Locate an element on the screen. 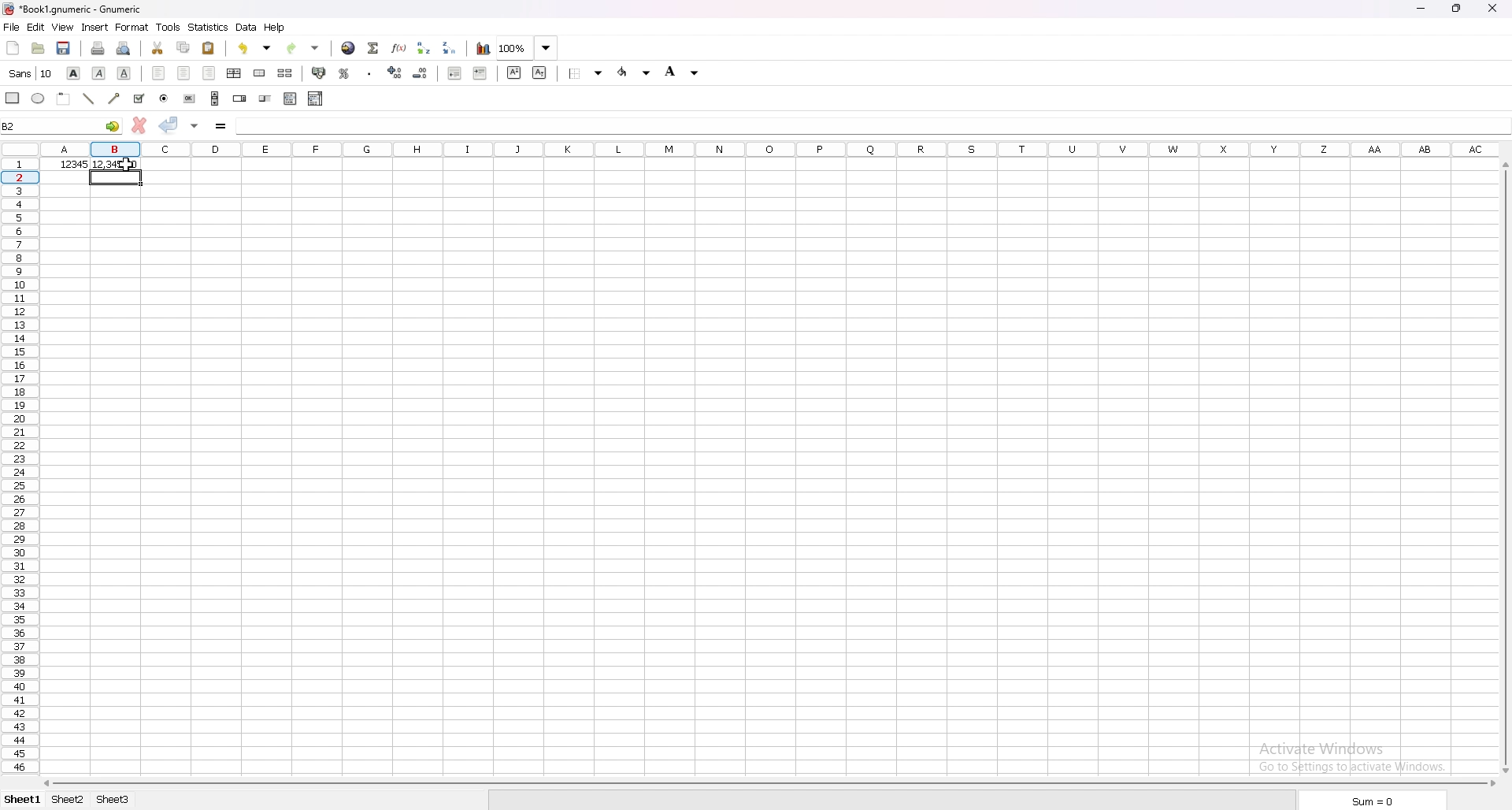  selected cell is located at coordinates (116, 179).